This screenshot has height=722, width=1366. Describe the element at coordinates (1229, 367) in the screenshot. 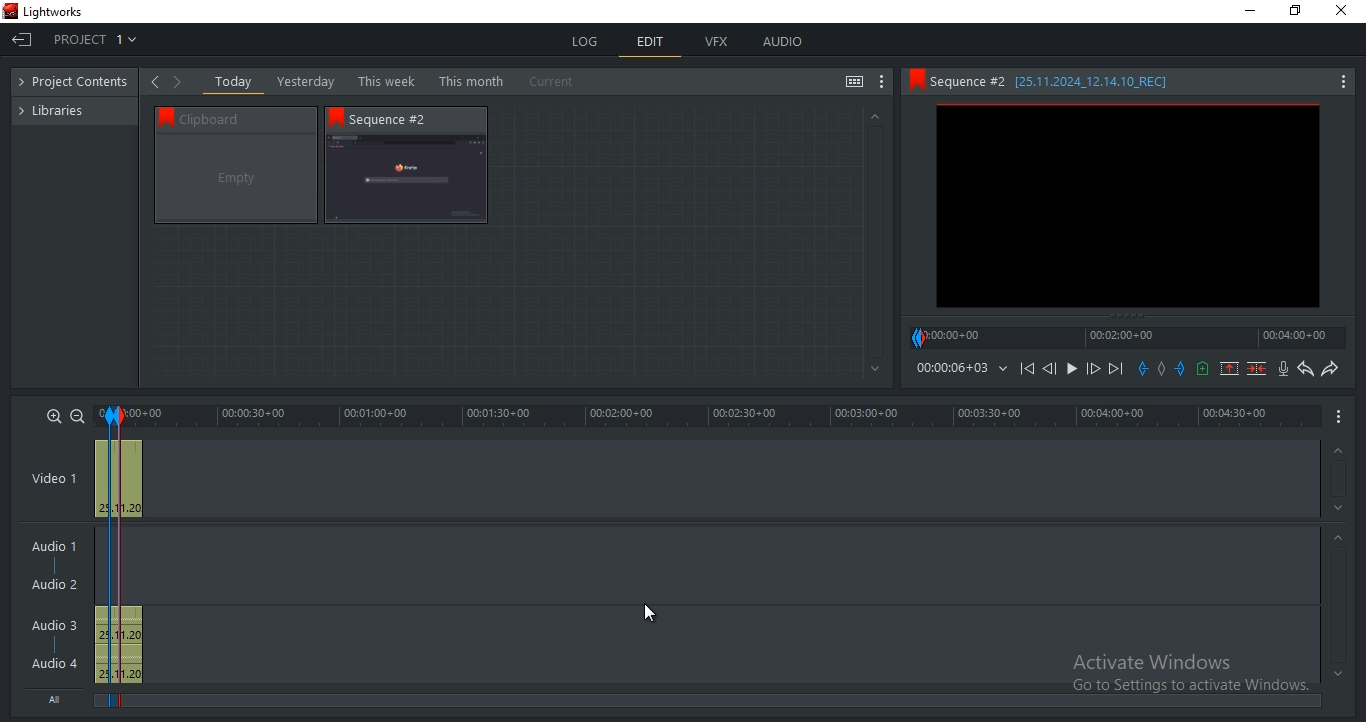

I see `remove marked section` at that location.